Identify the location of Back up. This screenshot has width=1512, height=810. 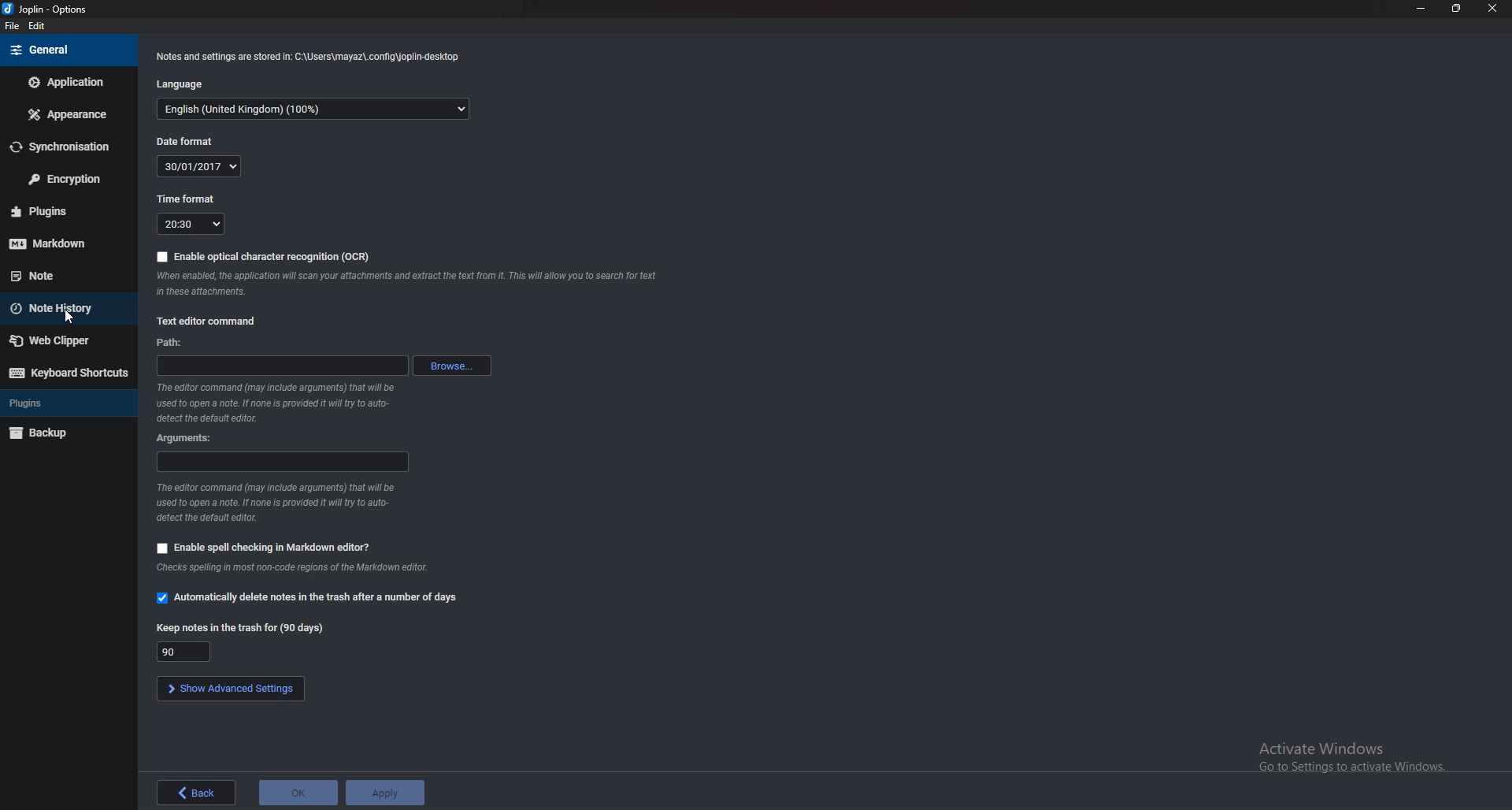
(60, 433).